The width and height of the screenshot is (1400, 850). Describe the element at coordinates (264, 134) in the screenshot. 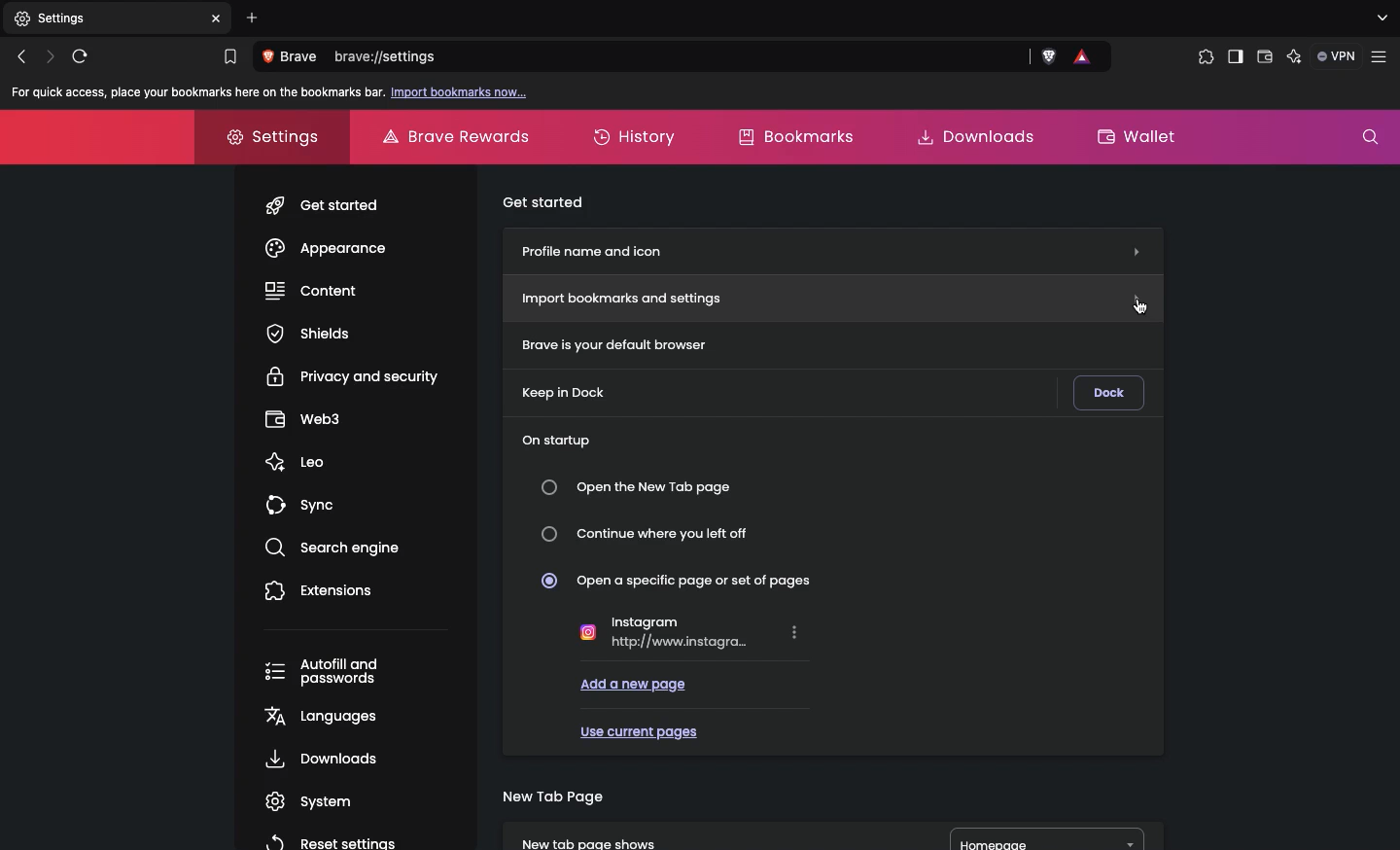

I see `Settings` at that location.